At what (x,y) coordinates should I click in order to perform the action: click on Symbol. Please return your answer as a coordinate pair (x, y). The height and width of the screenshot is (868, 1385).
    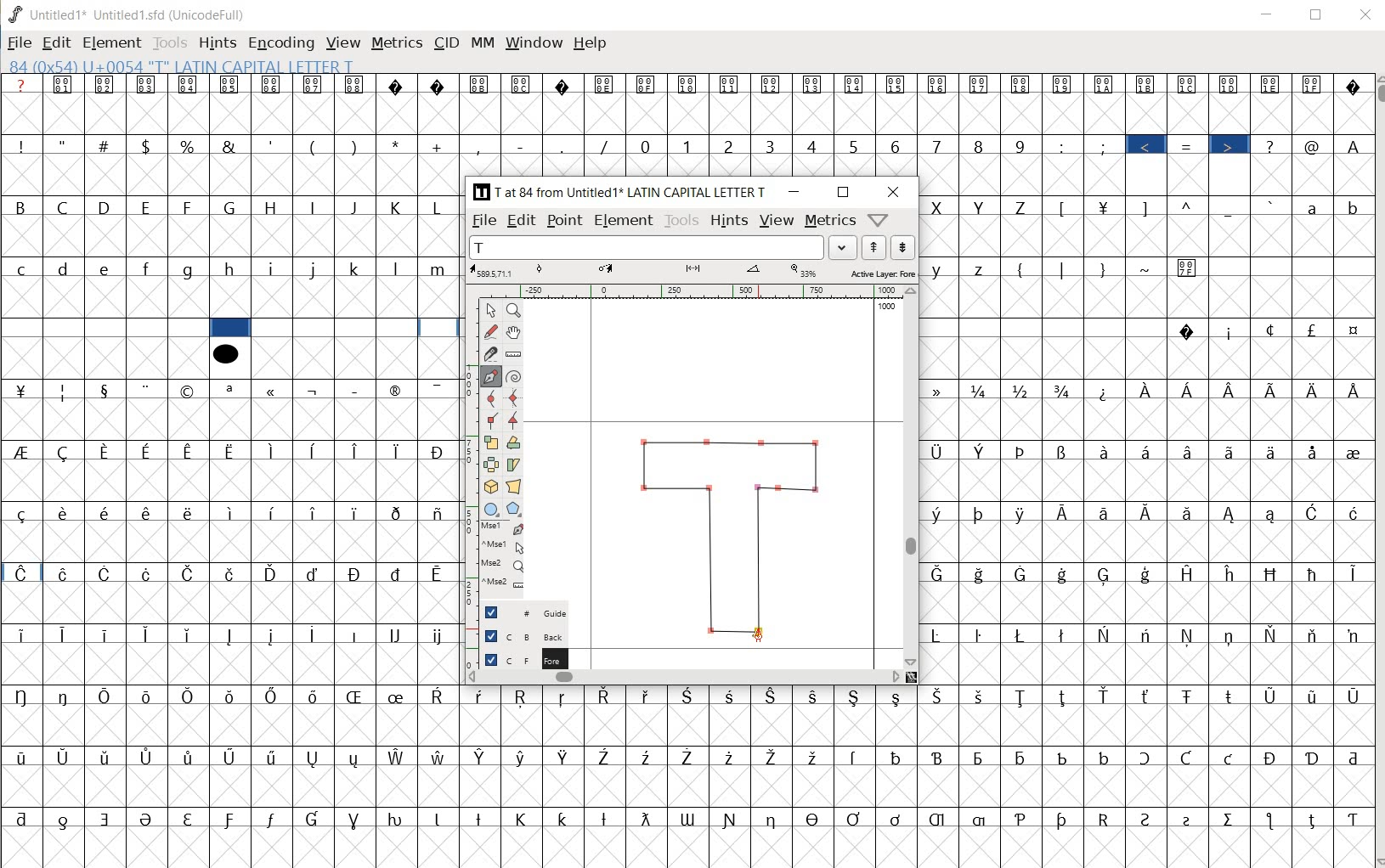
    Looking at the image, I should click on (938, 86).